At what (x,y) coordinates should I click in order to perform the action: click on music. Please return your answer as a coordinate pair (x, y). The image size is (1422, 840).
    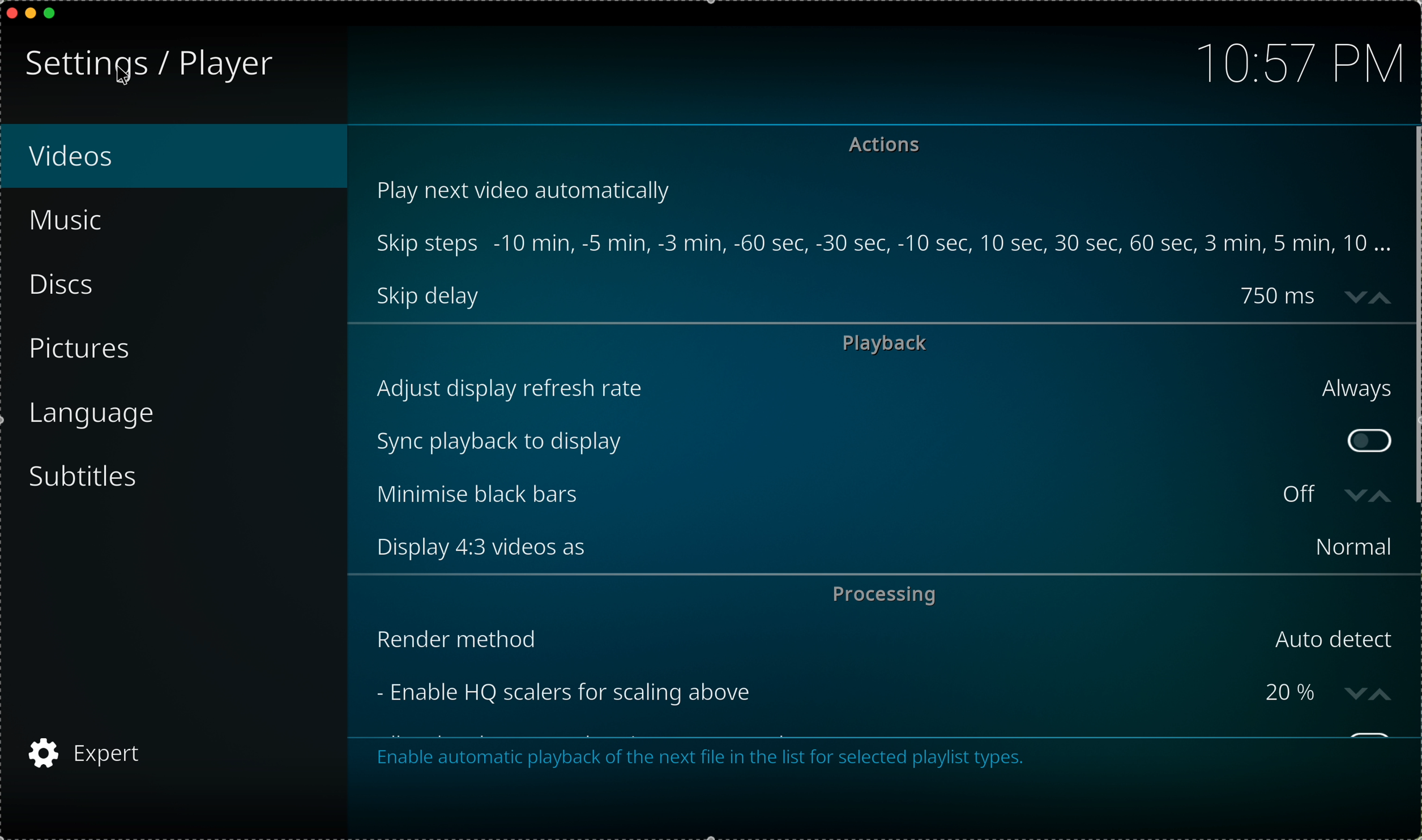
    Looking at the image, I should click on (69, 220).